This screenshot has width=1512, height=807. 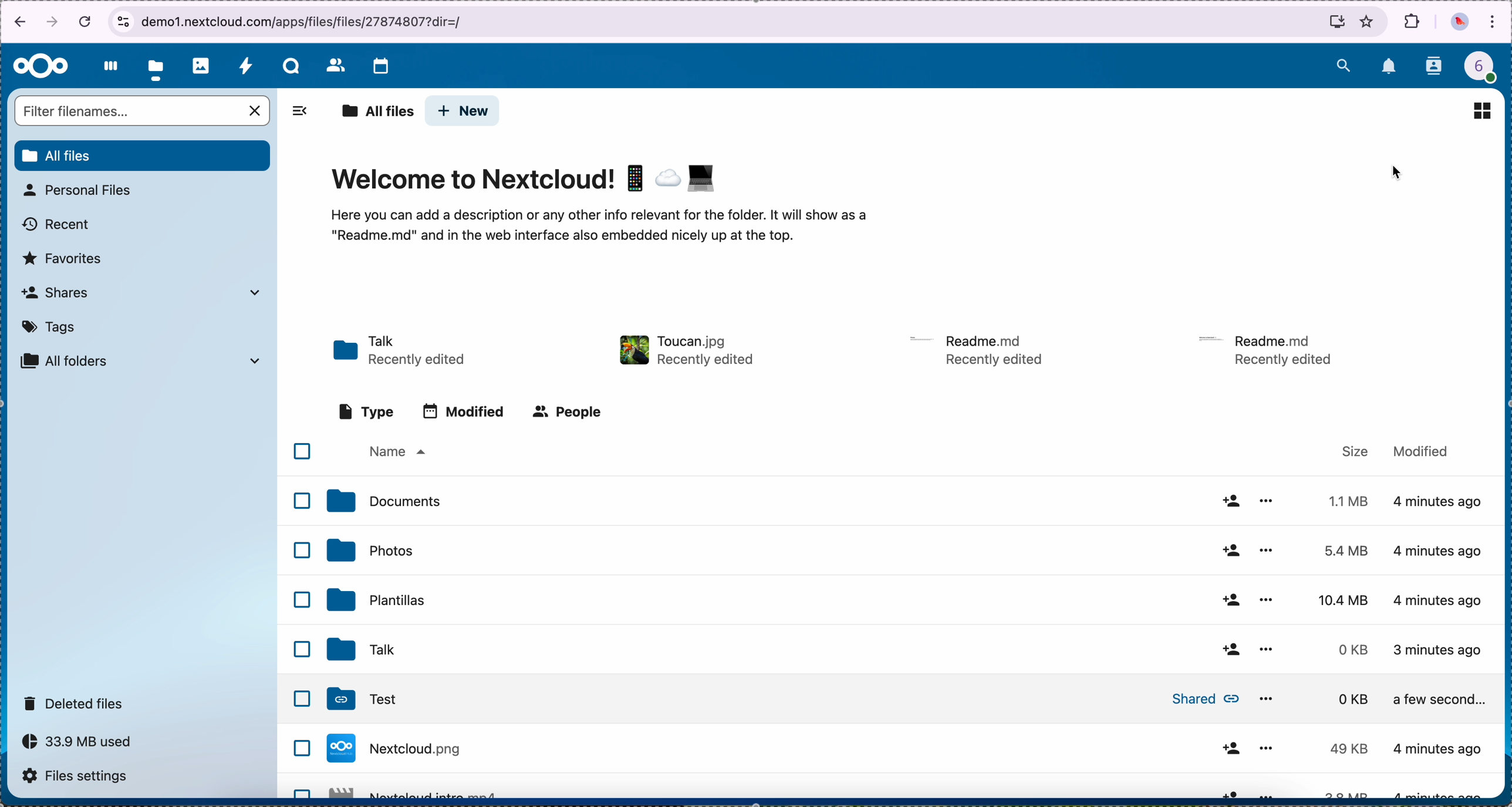 I want to click on 4 minutes ago, so click(x=1437, y=749).